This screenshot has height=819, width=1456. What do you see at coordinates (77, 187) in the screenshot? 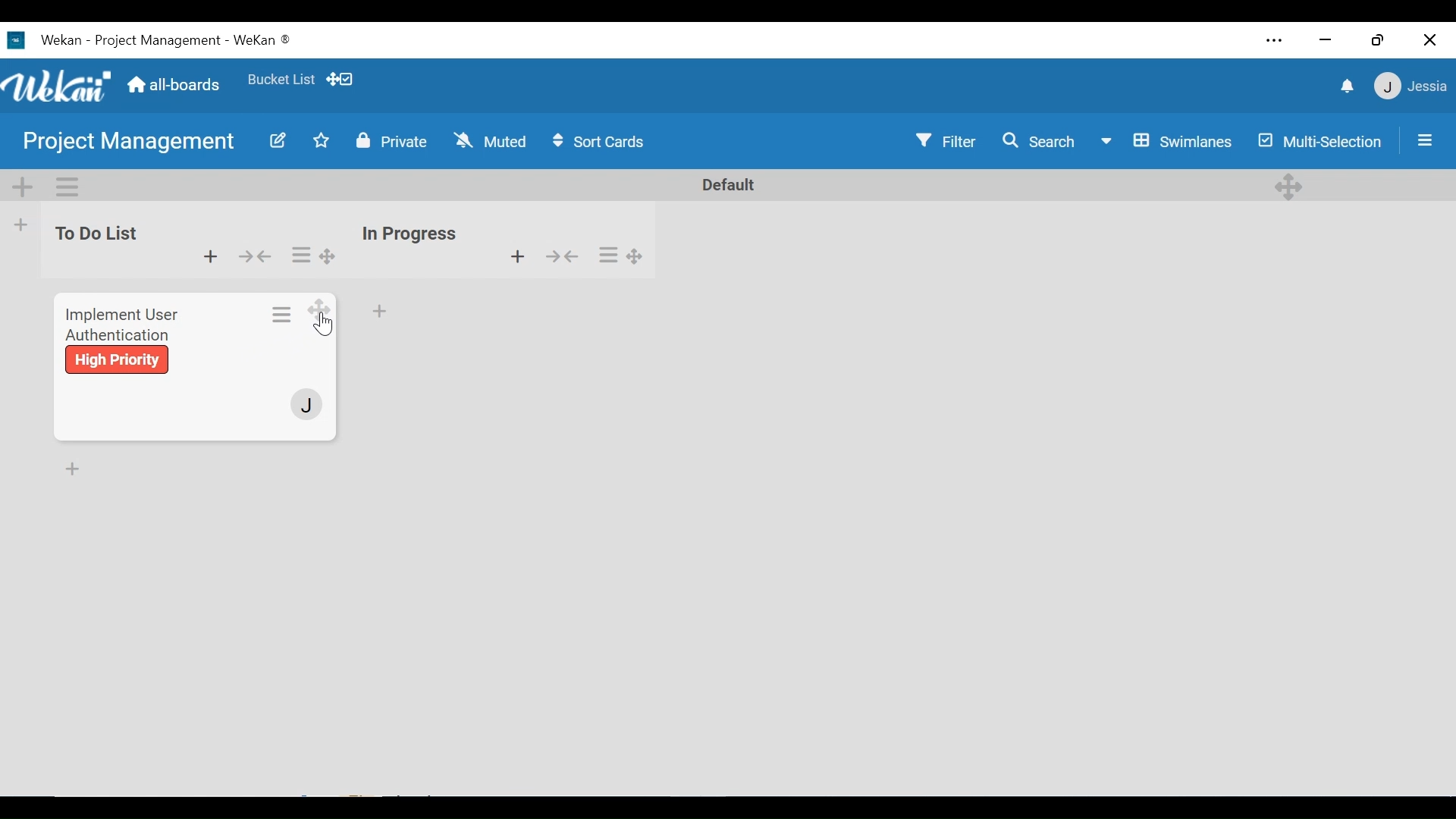
I see `swimlane actions` at bounding box center [77, 187].